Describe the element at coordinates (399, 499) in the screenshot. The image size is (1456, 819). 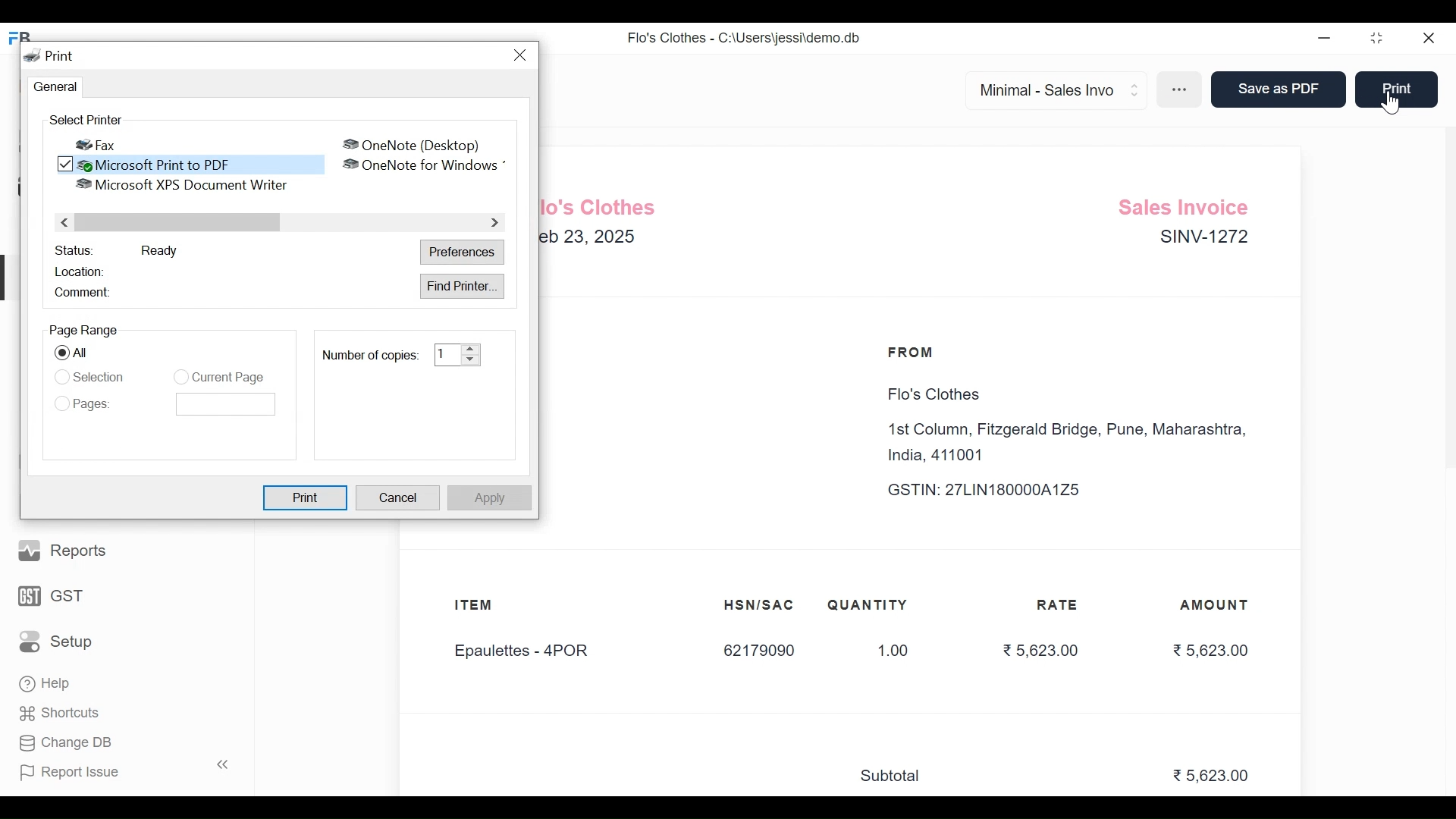
I see `Cancel` at that location.